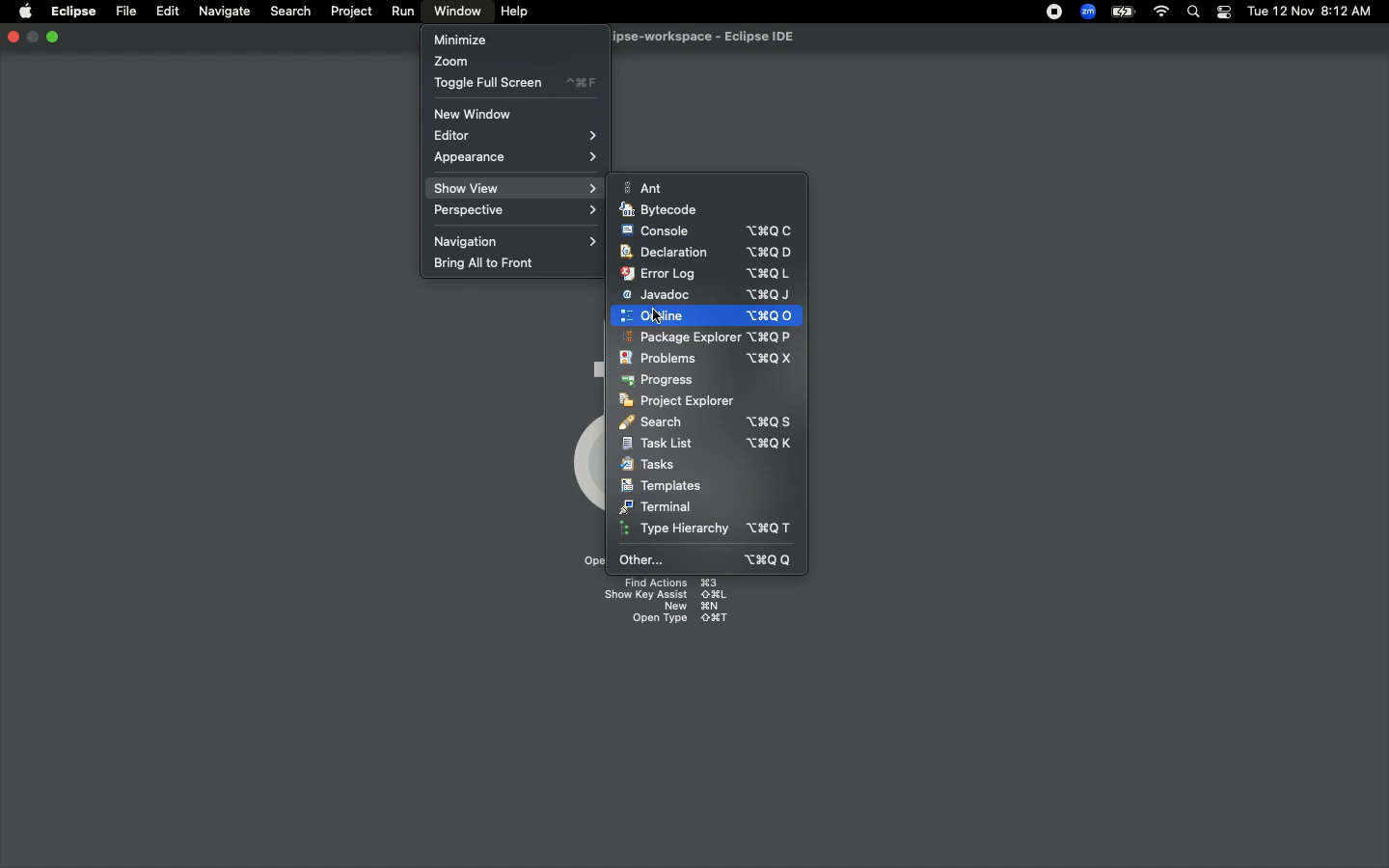  I want to click on Eclipse IDE workspace, so click(712, 37).